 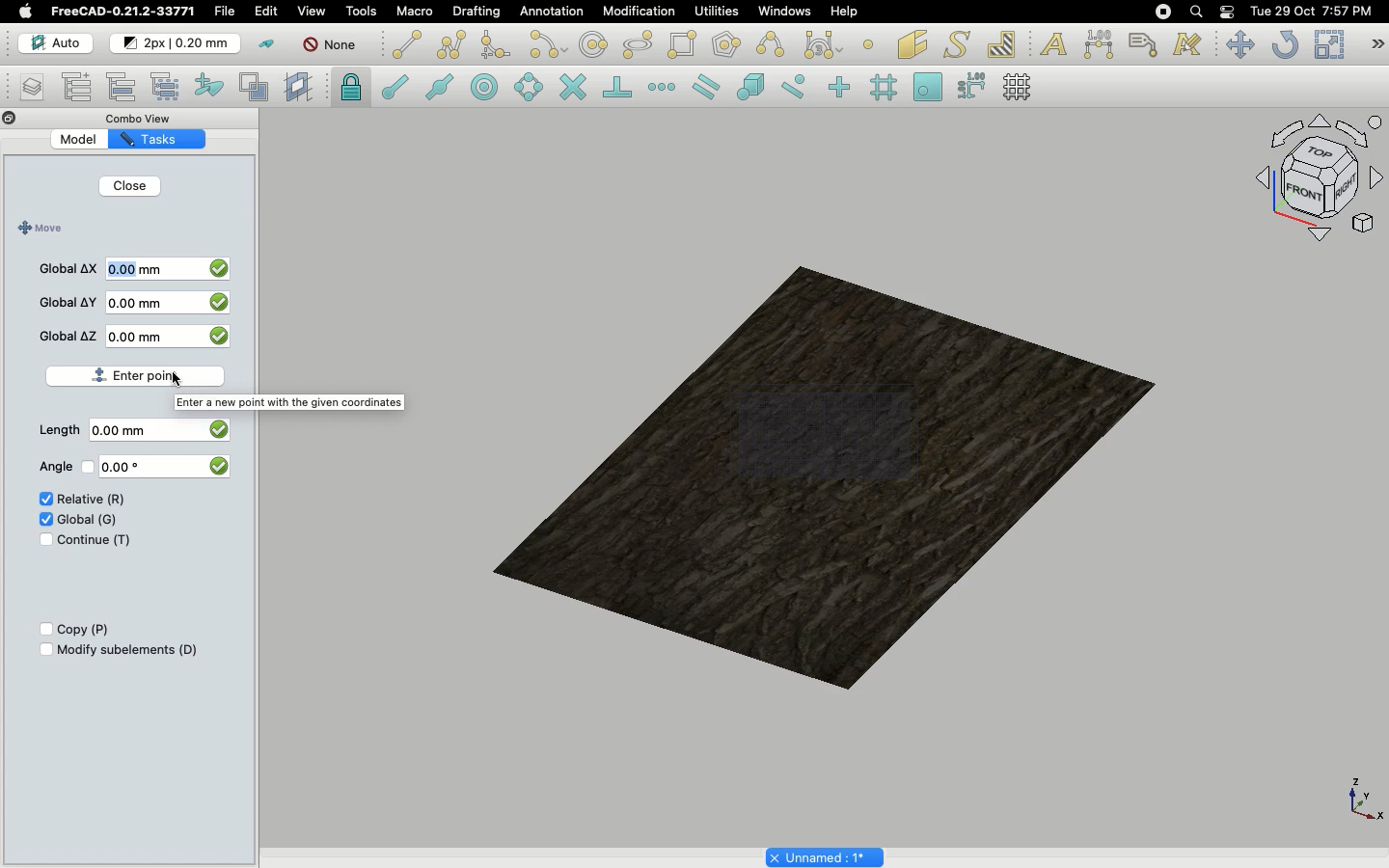 What do you see at coordinates (68, 302) in the screenshot?
I see `Global Y` at bounding box center [68, 302].